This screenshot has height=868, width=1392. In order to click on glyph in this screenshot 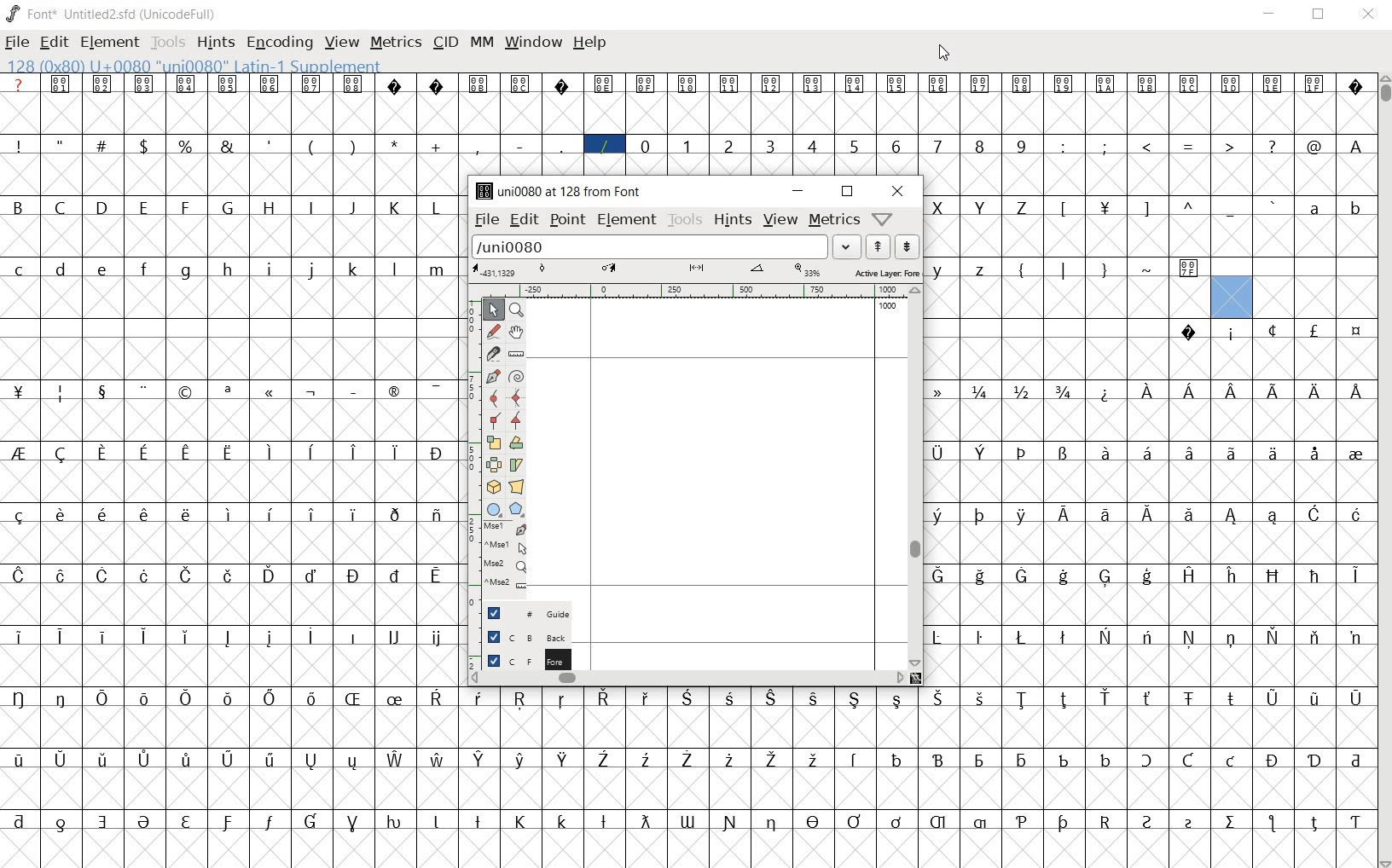, I will do `click(1232, 335)`.